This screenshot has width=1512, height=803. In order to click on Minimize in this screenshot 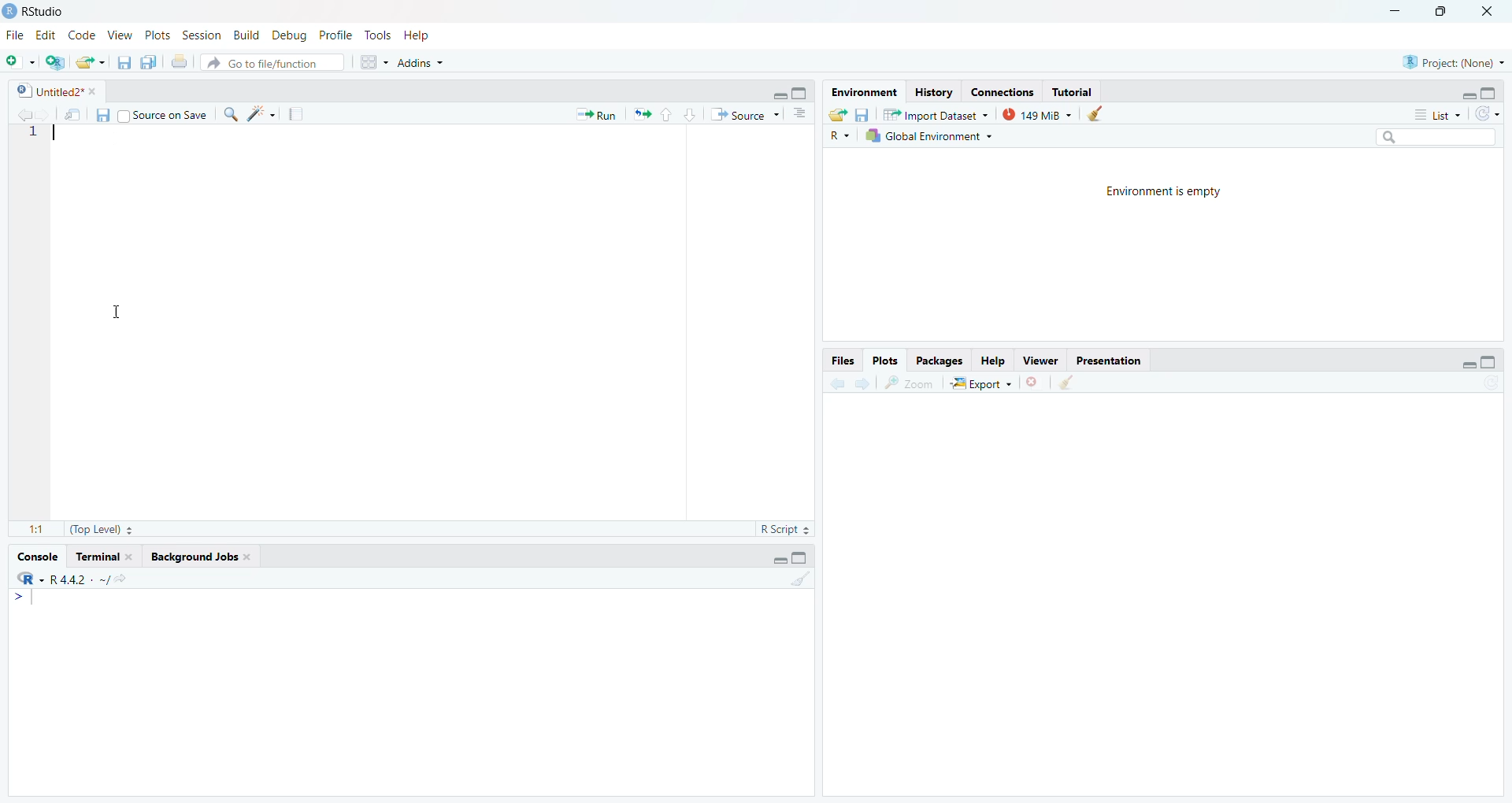, I will do `click(776, 559)`.